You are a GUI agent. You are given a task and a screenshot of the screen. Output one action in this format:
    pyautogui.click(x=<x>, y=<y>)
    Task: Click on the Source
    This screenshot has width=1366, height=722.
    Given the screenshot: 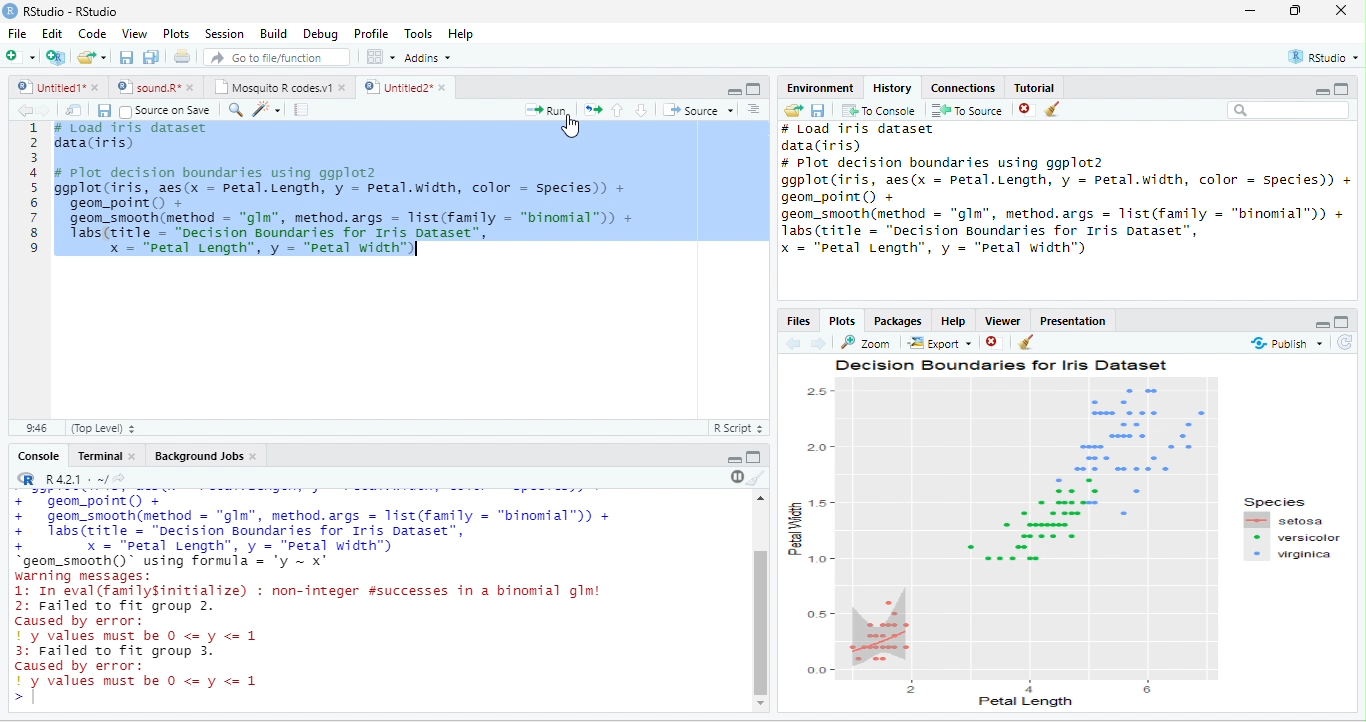 What is the action you would take?
    pyautogui.click(x=698, y=110)
    